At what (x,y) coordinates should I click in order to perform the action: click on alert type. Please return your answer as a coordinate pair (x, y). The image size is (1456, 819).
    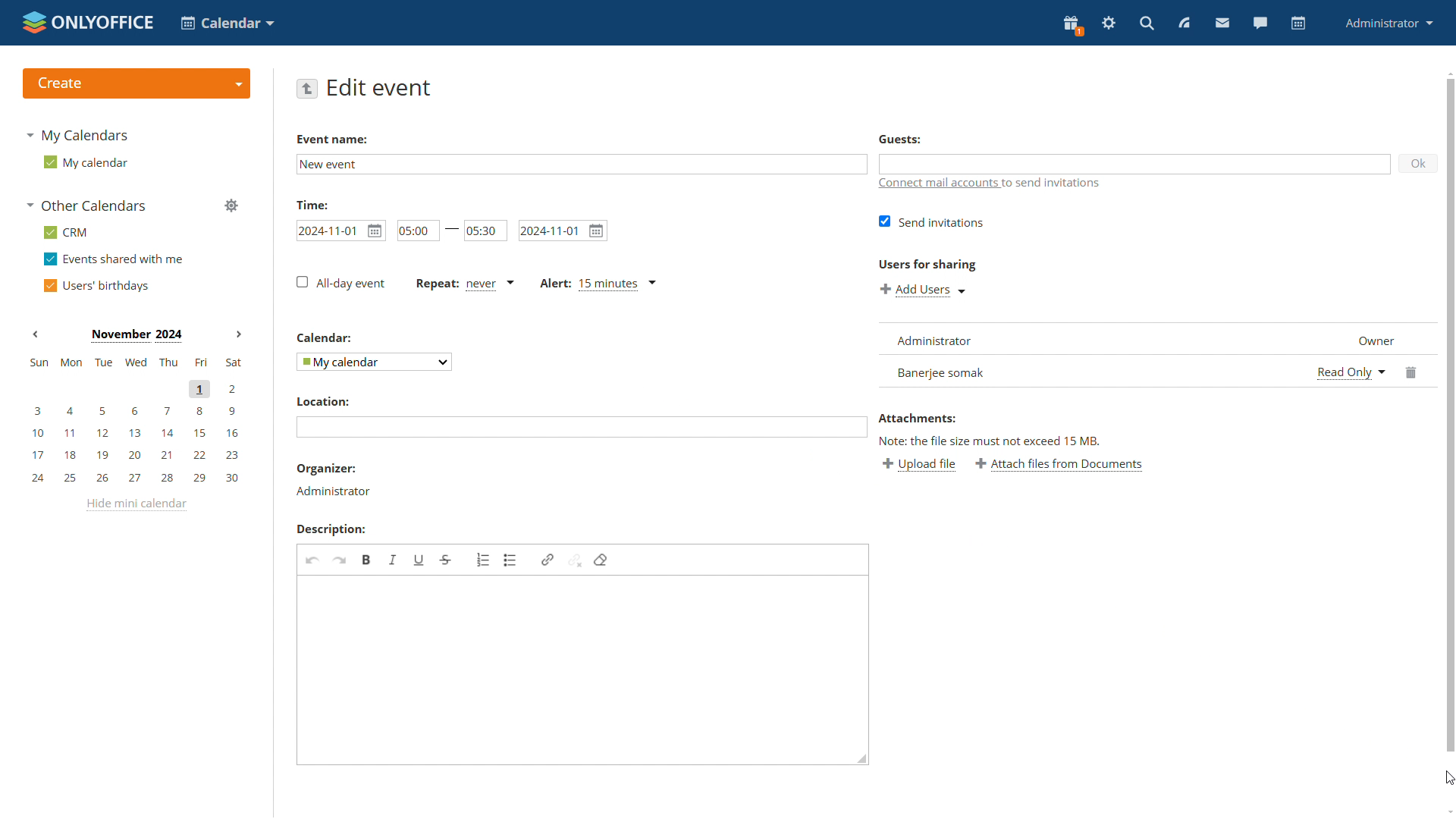
    Looking at the image, I should click on (600, 284).